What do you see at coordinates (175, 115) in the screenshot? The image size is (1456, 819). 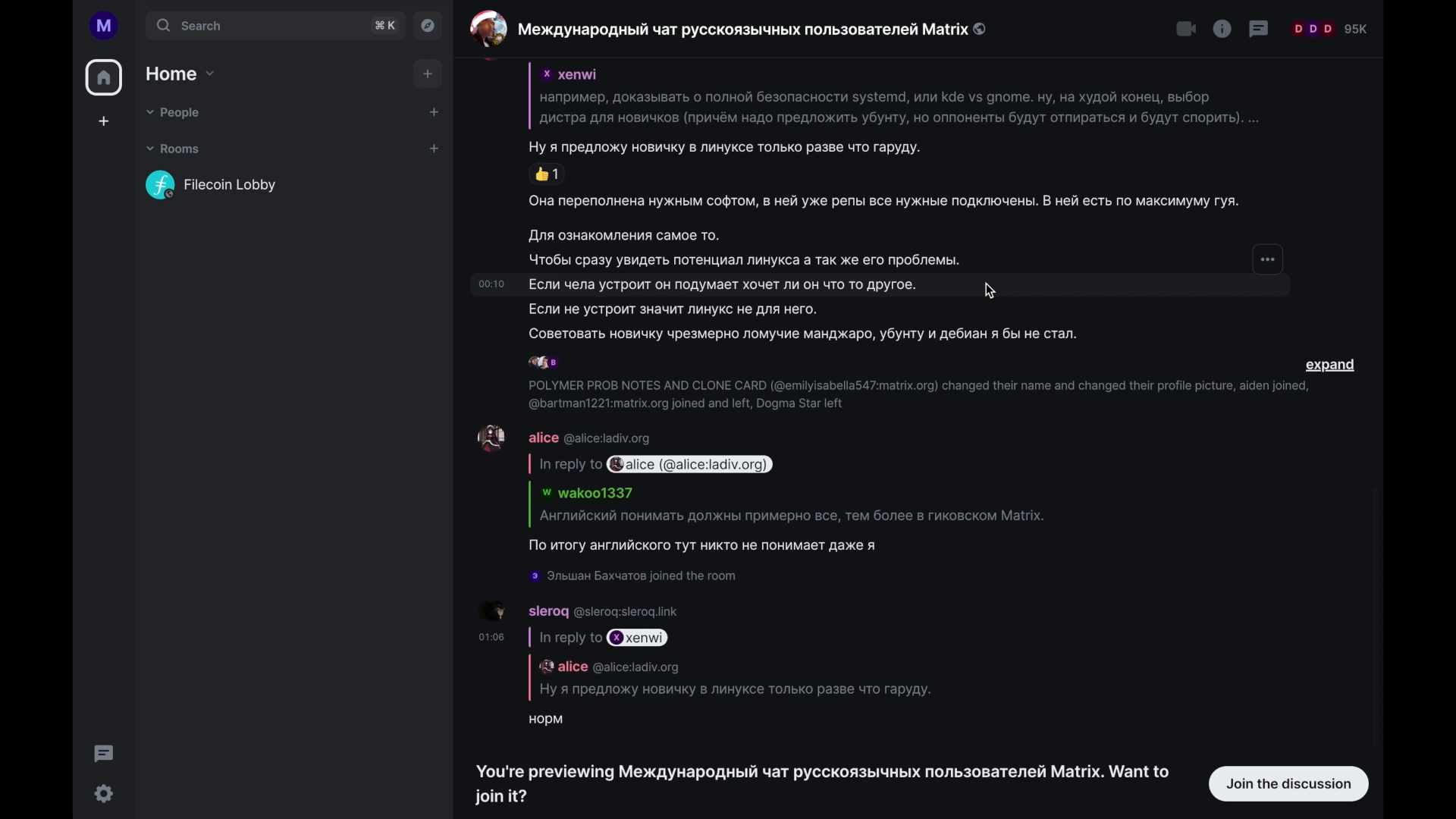 I see `people dropdown` at bounding box center [175, 115].